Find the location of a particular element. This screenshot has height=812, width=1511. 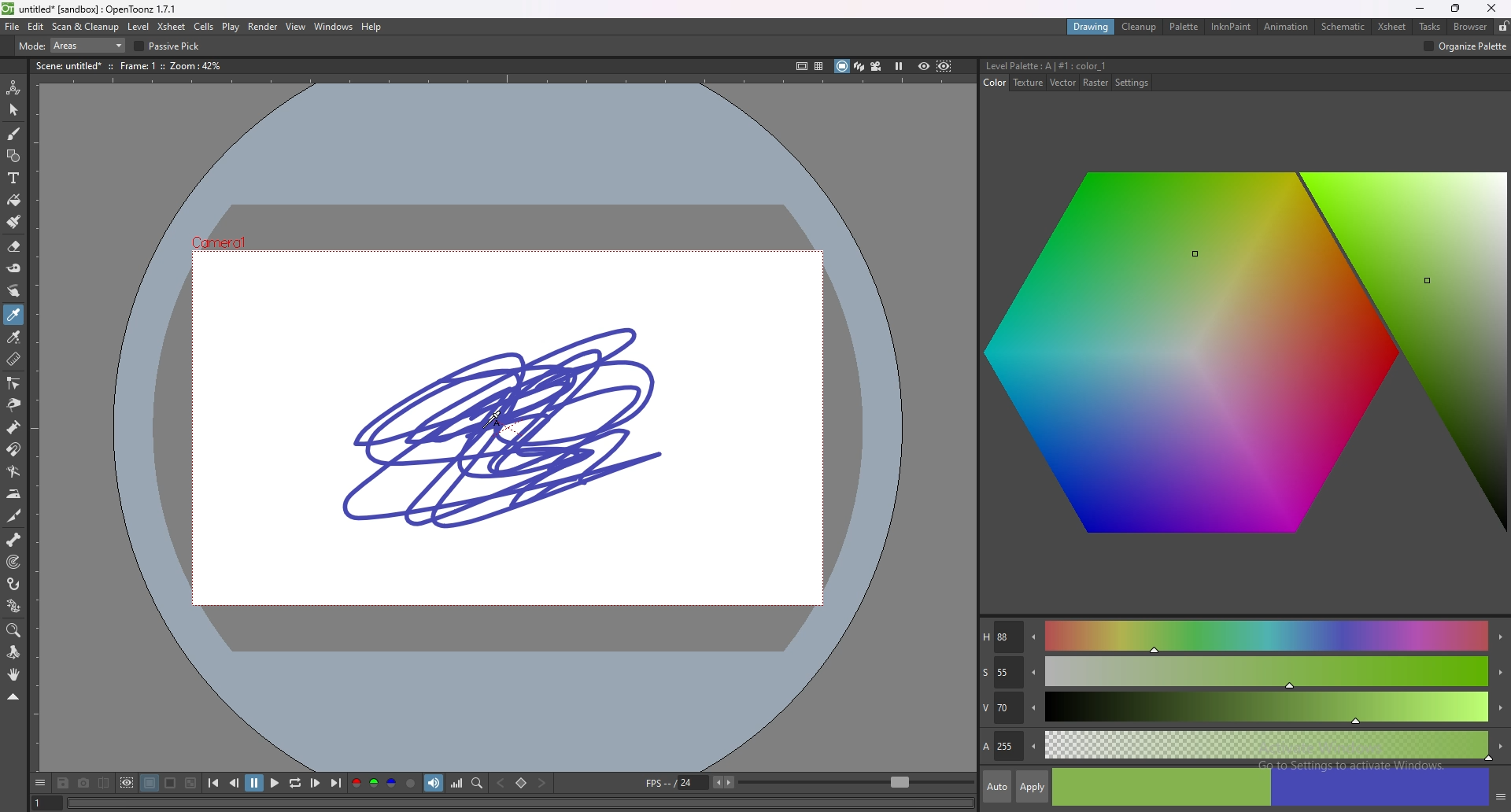

pump tool is located at coordinates (15, 428).